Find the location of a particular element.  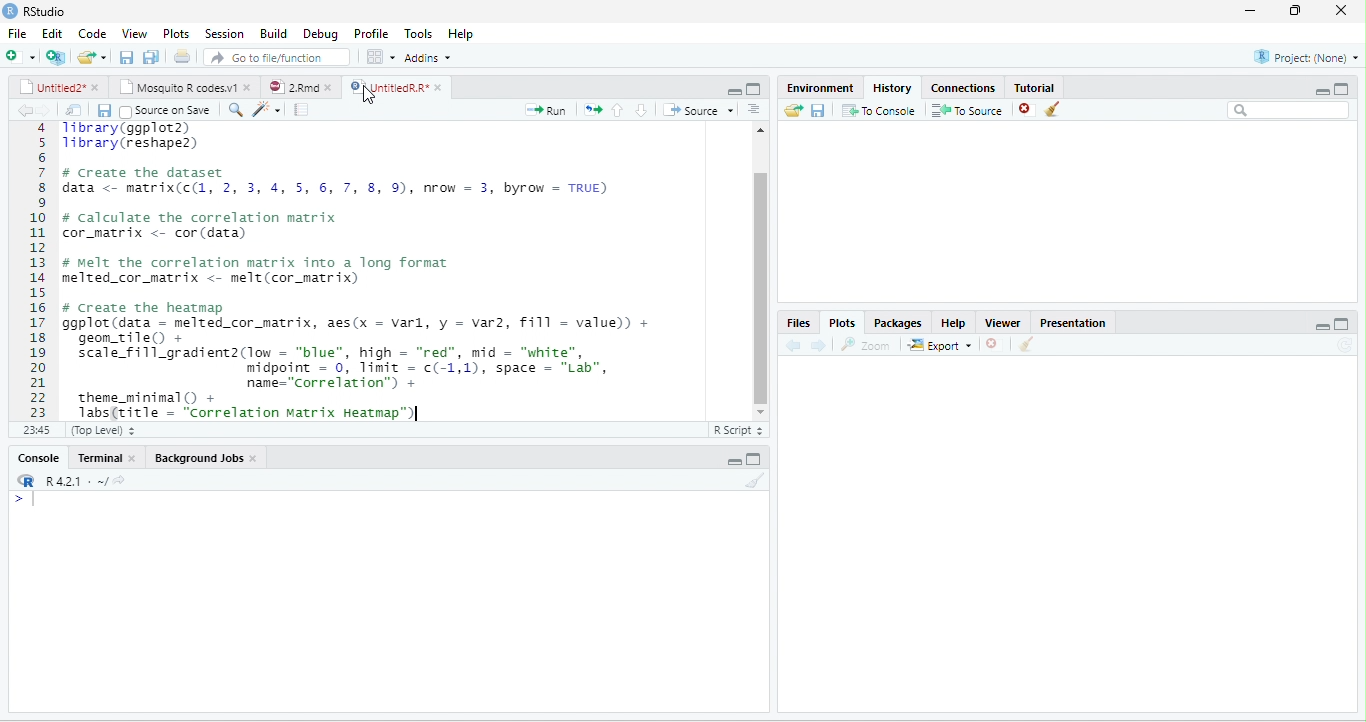

minimize is located at coordinates (728, 89).